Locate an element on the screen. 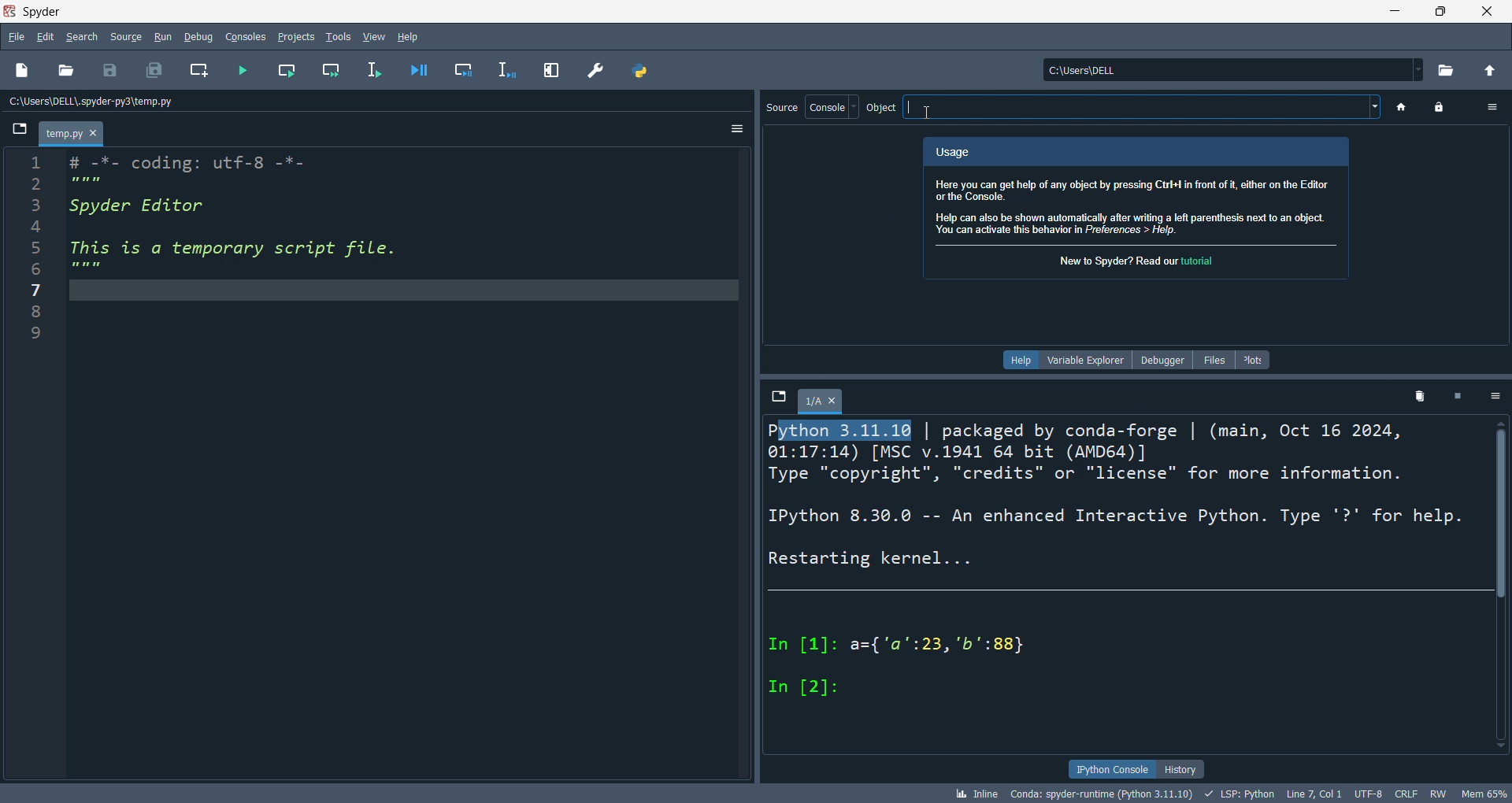  new cel is located at coordinates (198, 68).